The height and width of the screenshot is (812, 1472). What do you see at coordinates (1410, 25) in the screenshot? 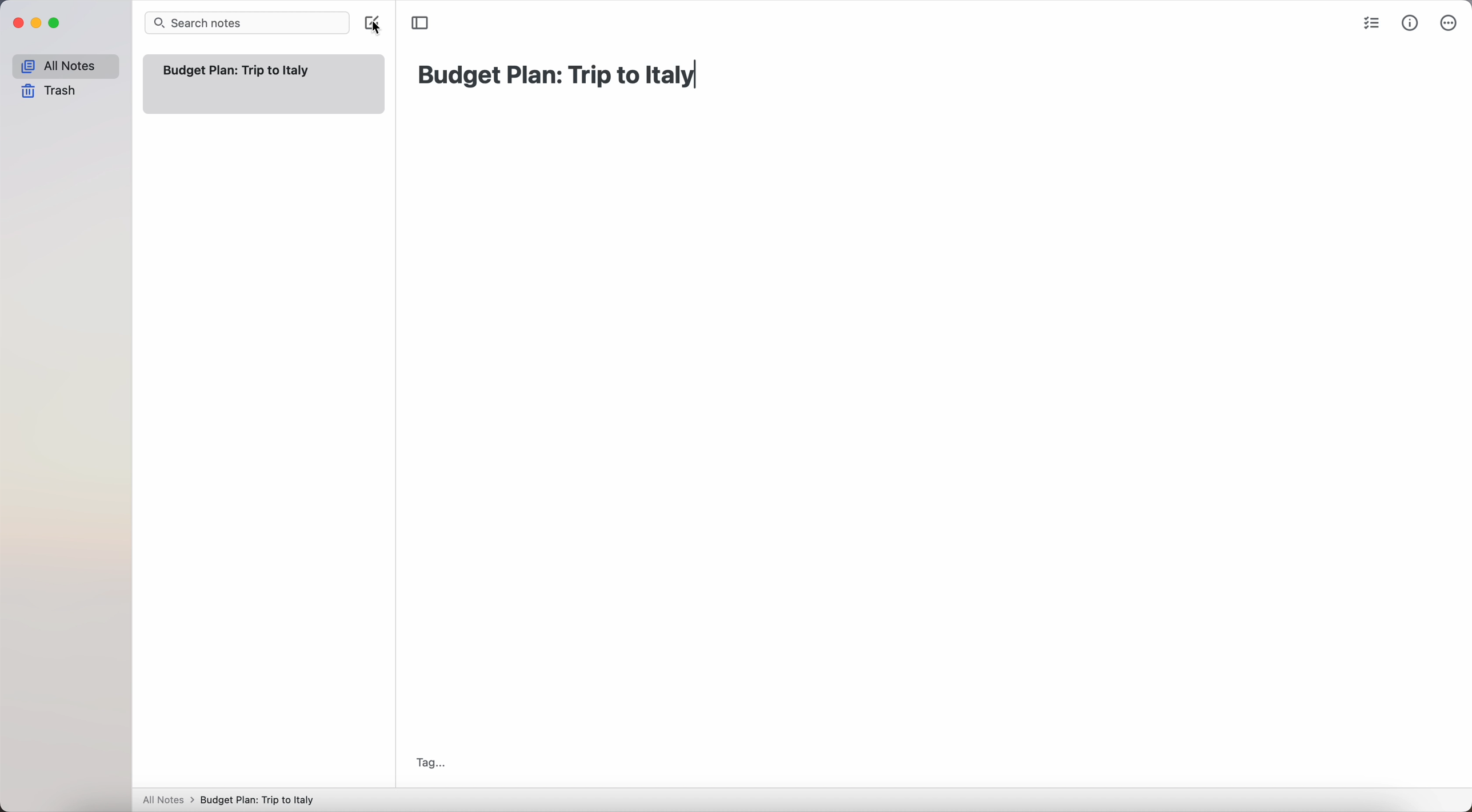
I see `metrics` at bounding box center [1410, 25].